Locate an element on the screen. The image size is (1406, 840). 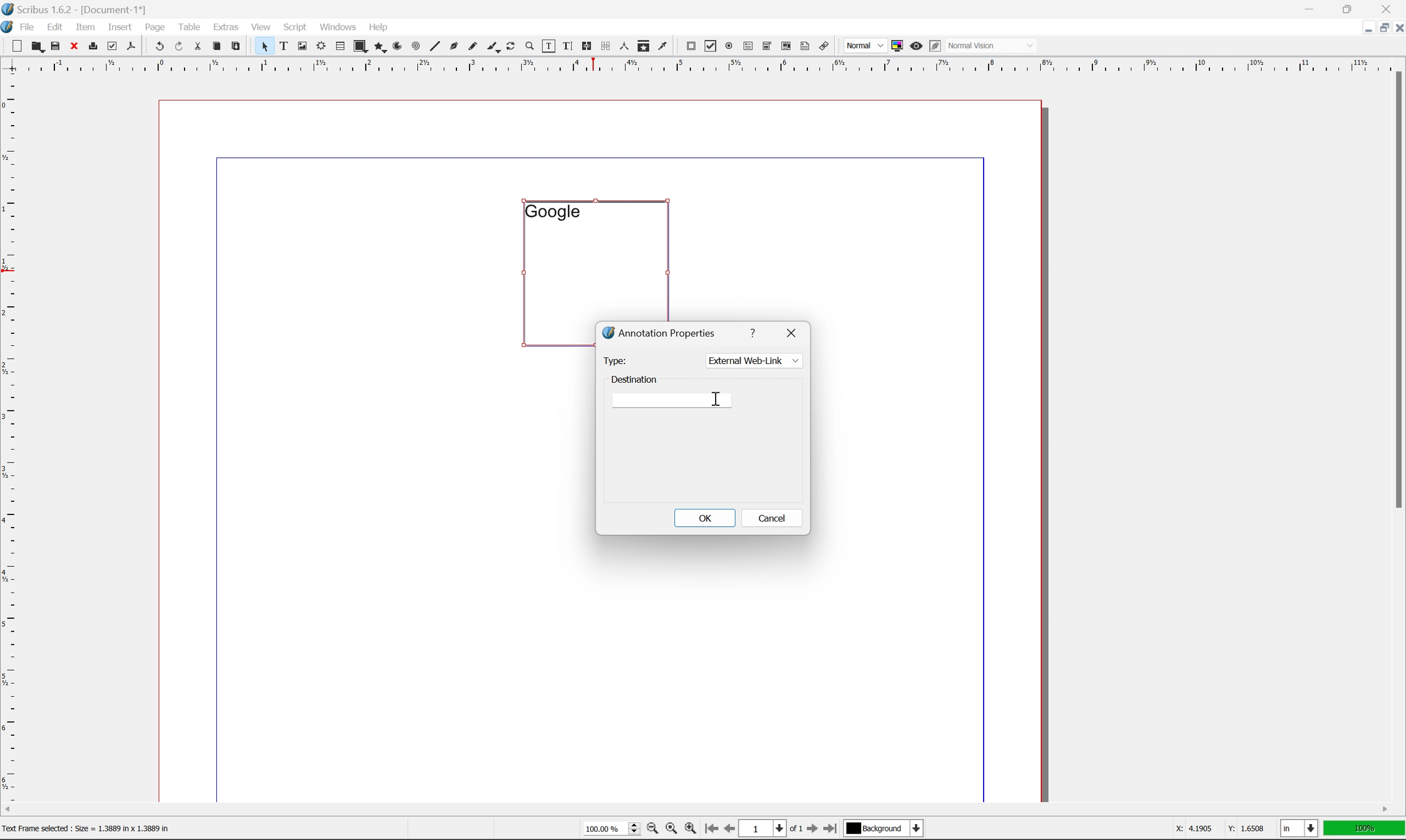
OK is located at coordinates (704, 517).